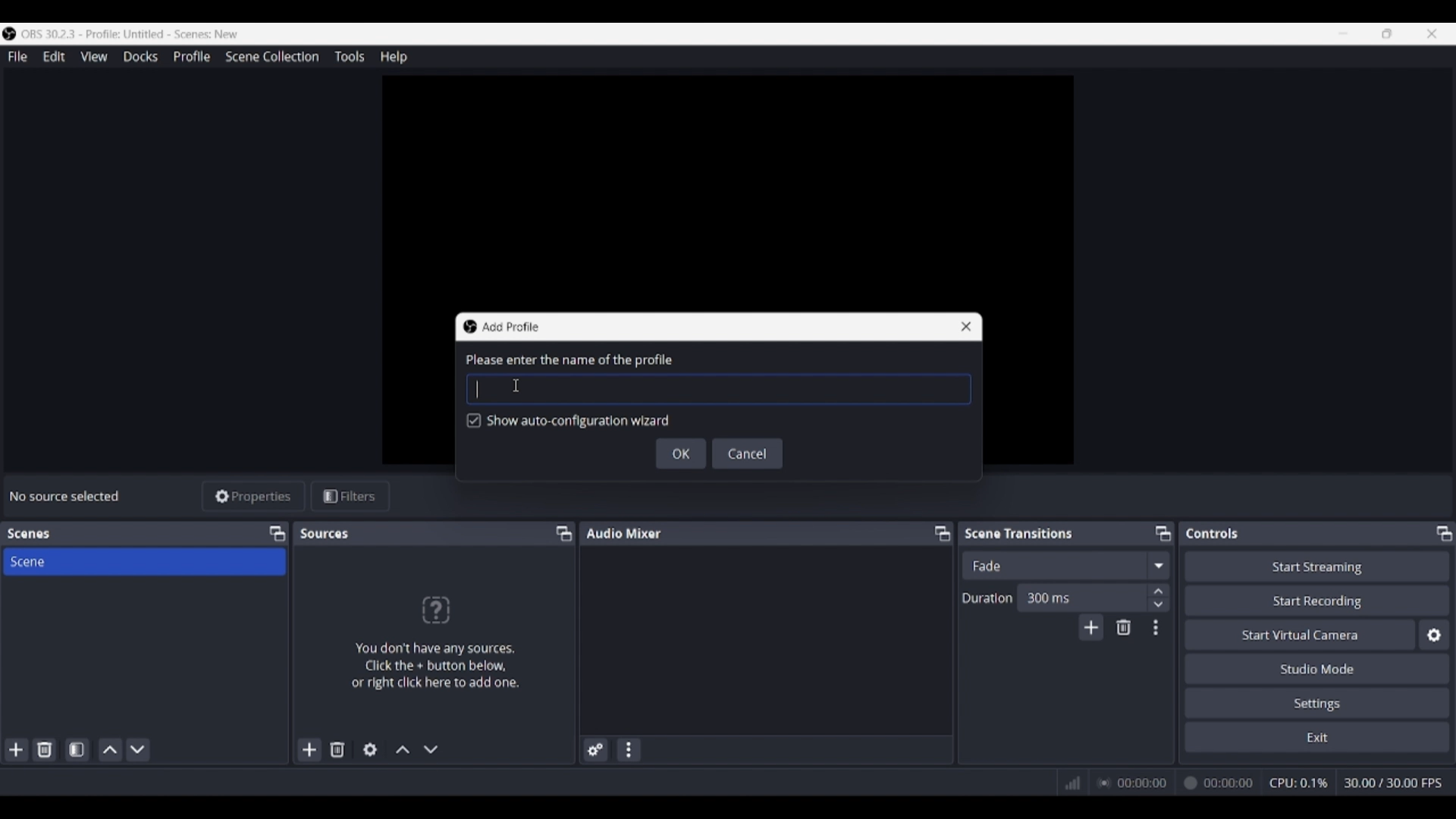 This screenshot has height=819, width=1456. What do you see at coordinates (326, 533) in the screenshot?
I see `Panel title` at bounding box center [326, 533].